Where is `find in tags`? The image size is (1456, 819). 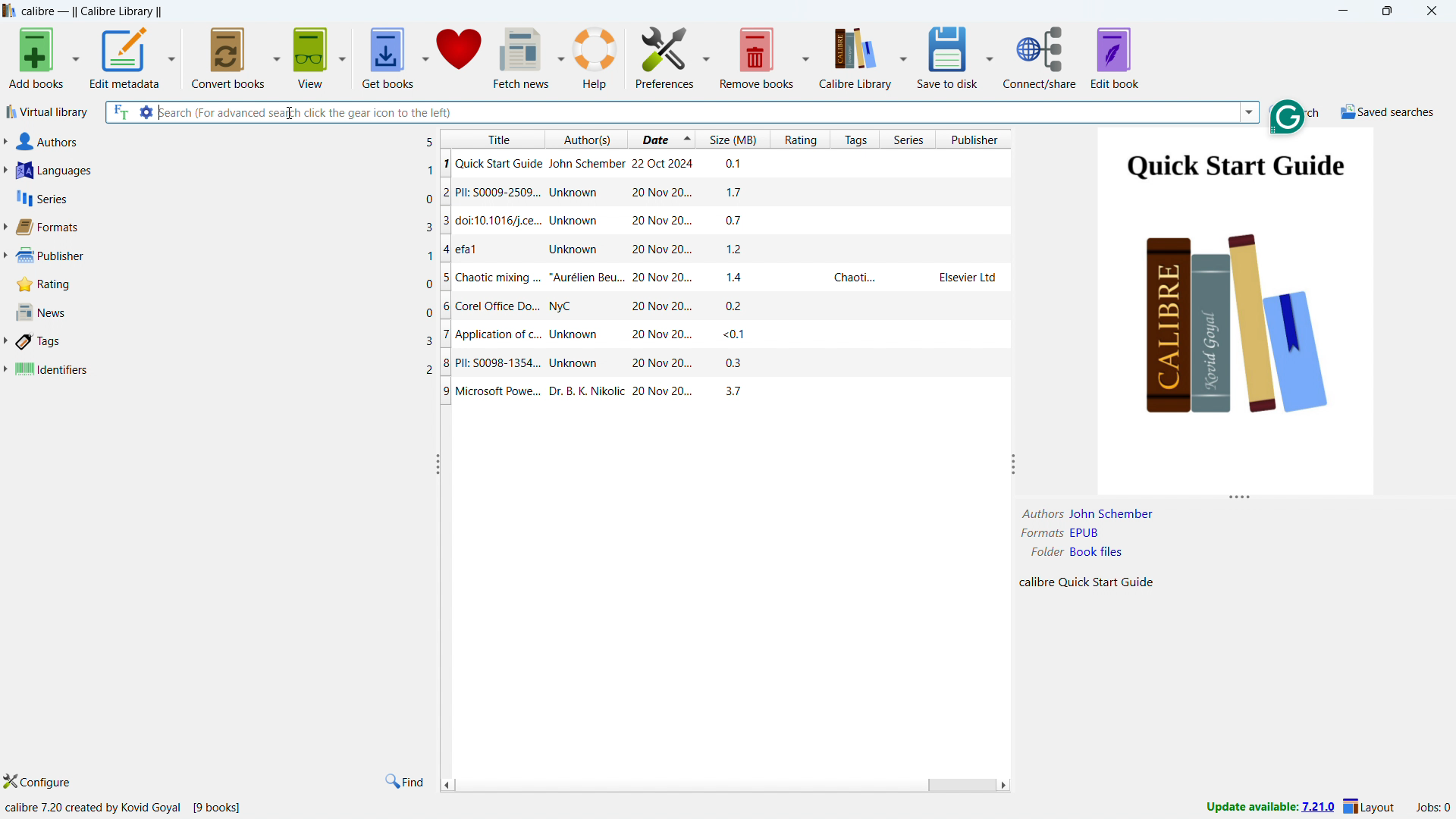
find in tags is located at coordinates (406, 782).